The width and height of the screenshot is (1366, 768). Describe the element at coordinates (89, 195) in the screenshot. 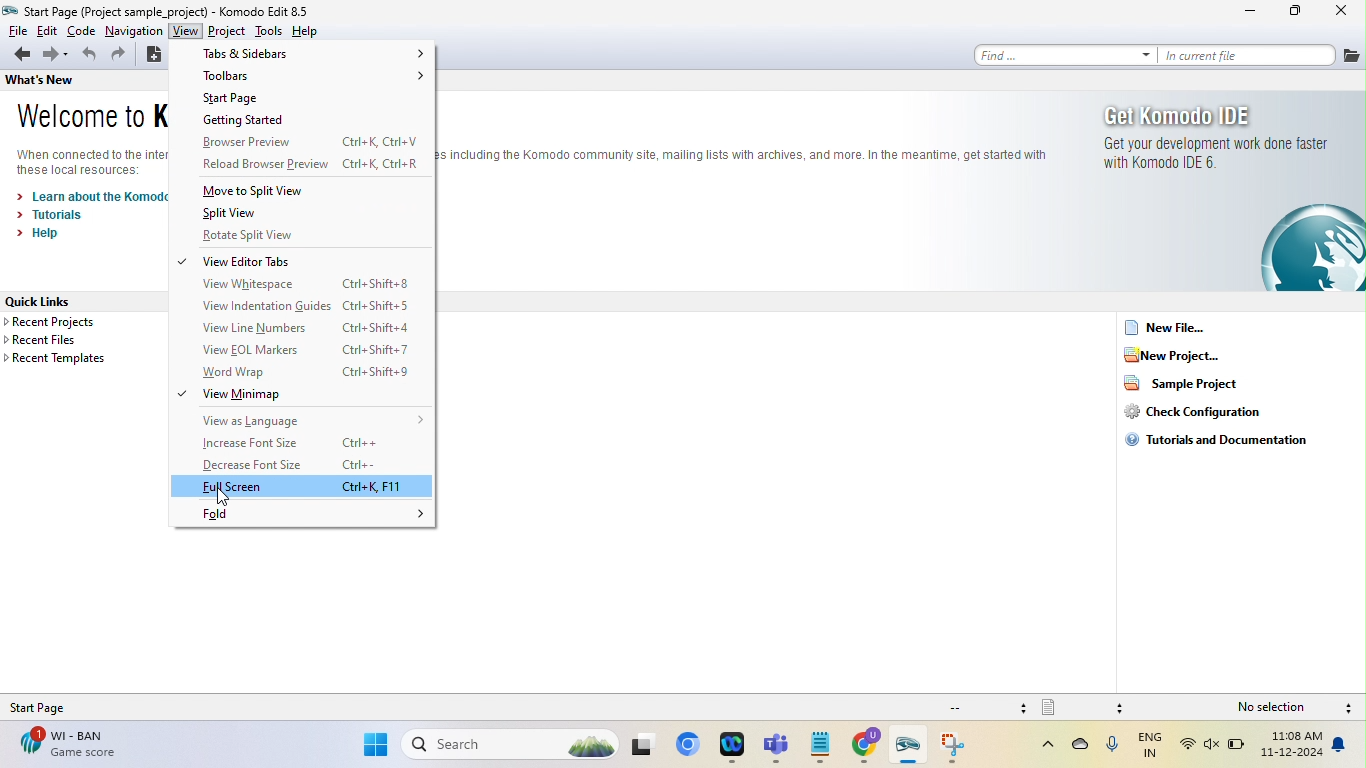

I see `learn about the komodo workspace` at that location.